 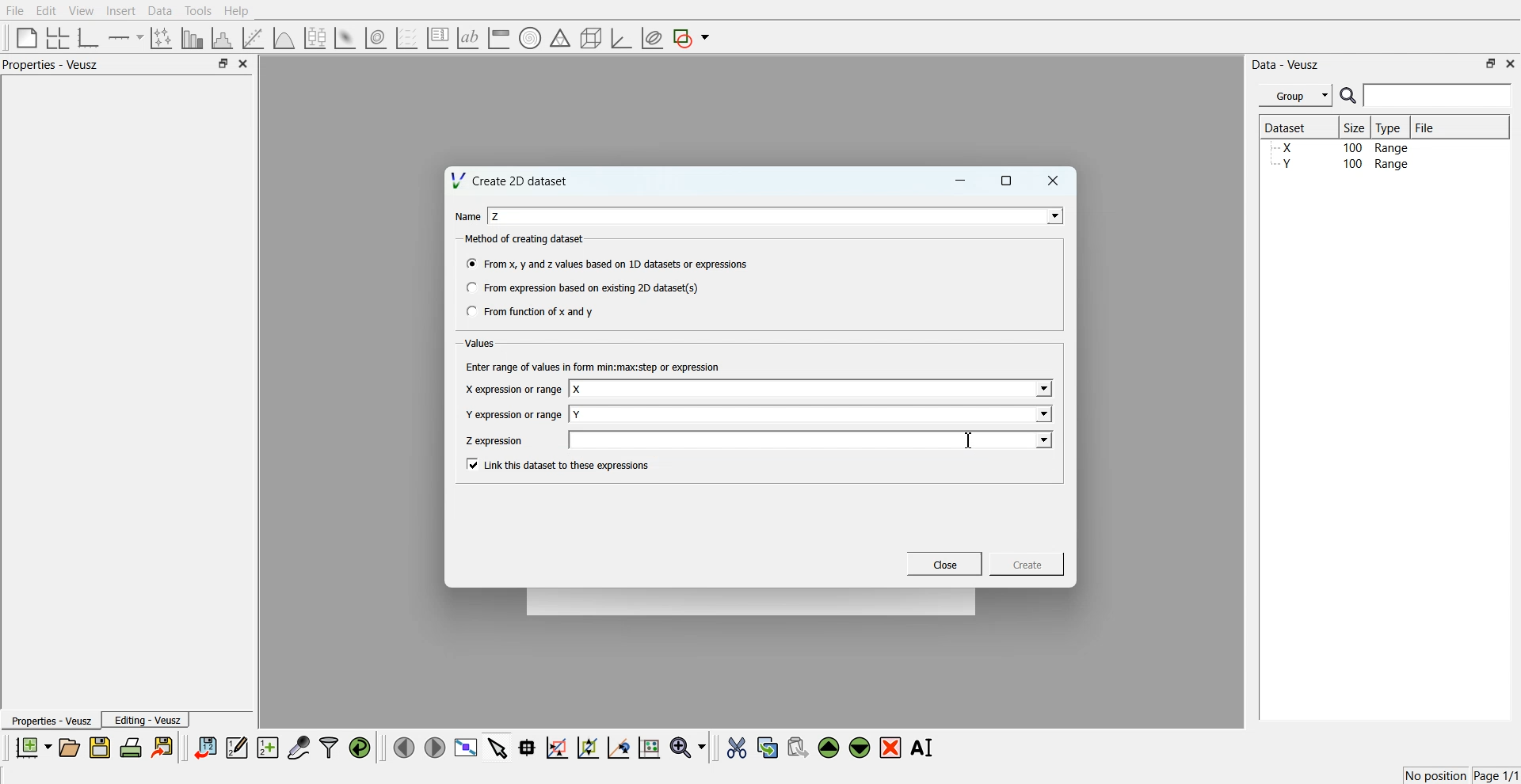 I want to click on Close, so click(x=945, y=564).